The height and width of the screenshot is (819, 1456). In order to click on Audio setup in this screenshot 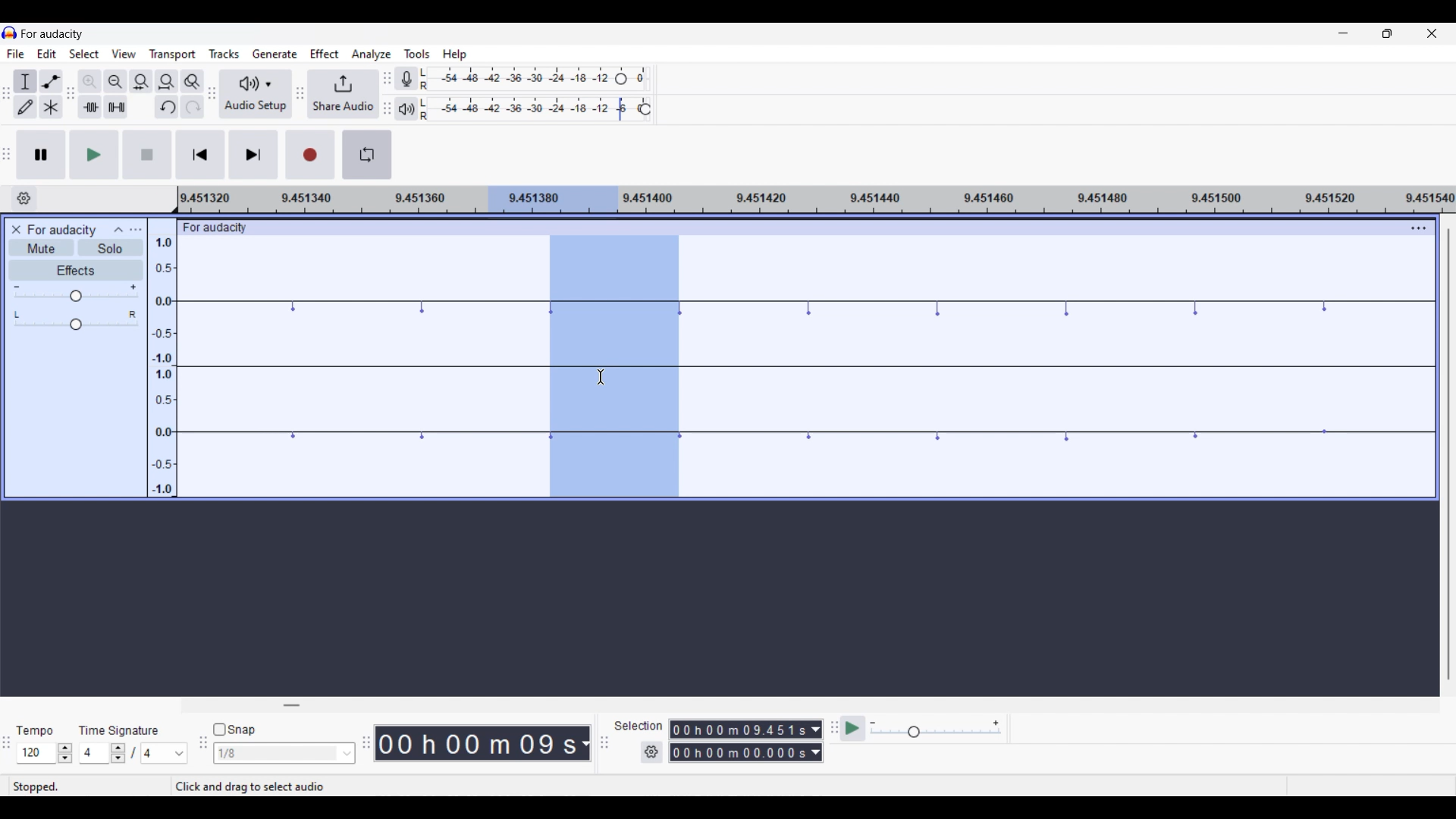, I will do `click(256, 93)`.